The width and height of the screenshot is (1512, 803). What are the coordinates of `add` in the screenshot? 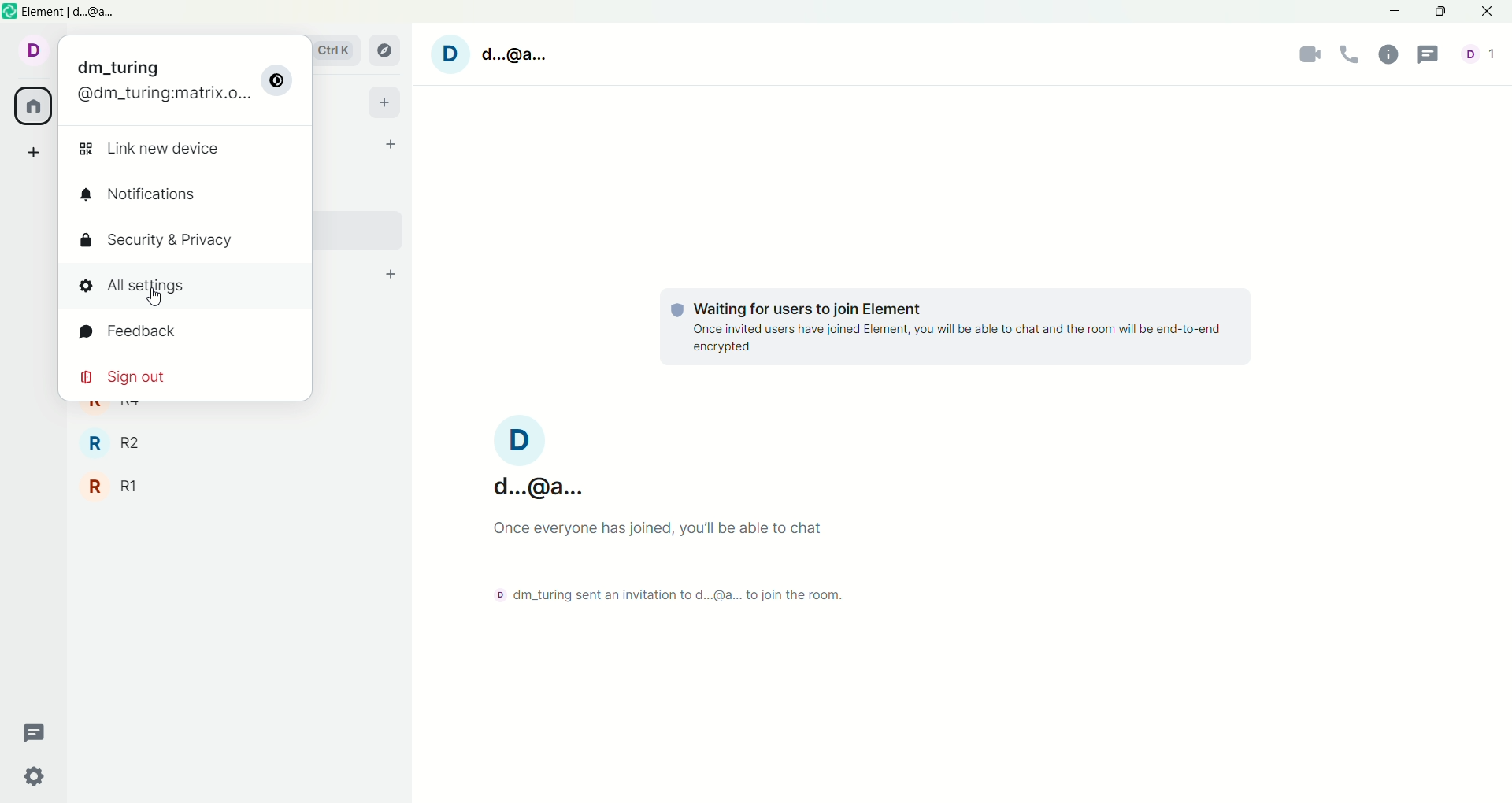 It's located at (386, 105).